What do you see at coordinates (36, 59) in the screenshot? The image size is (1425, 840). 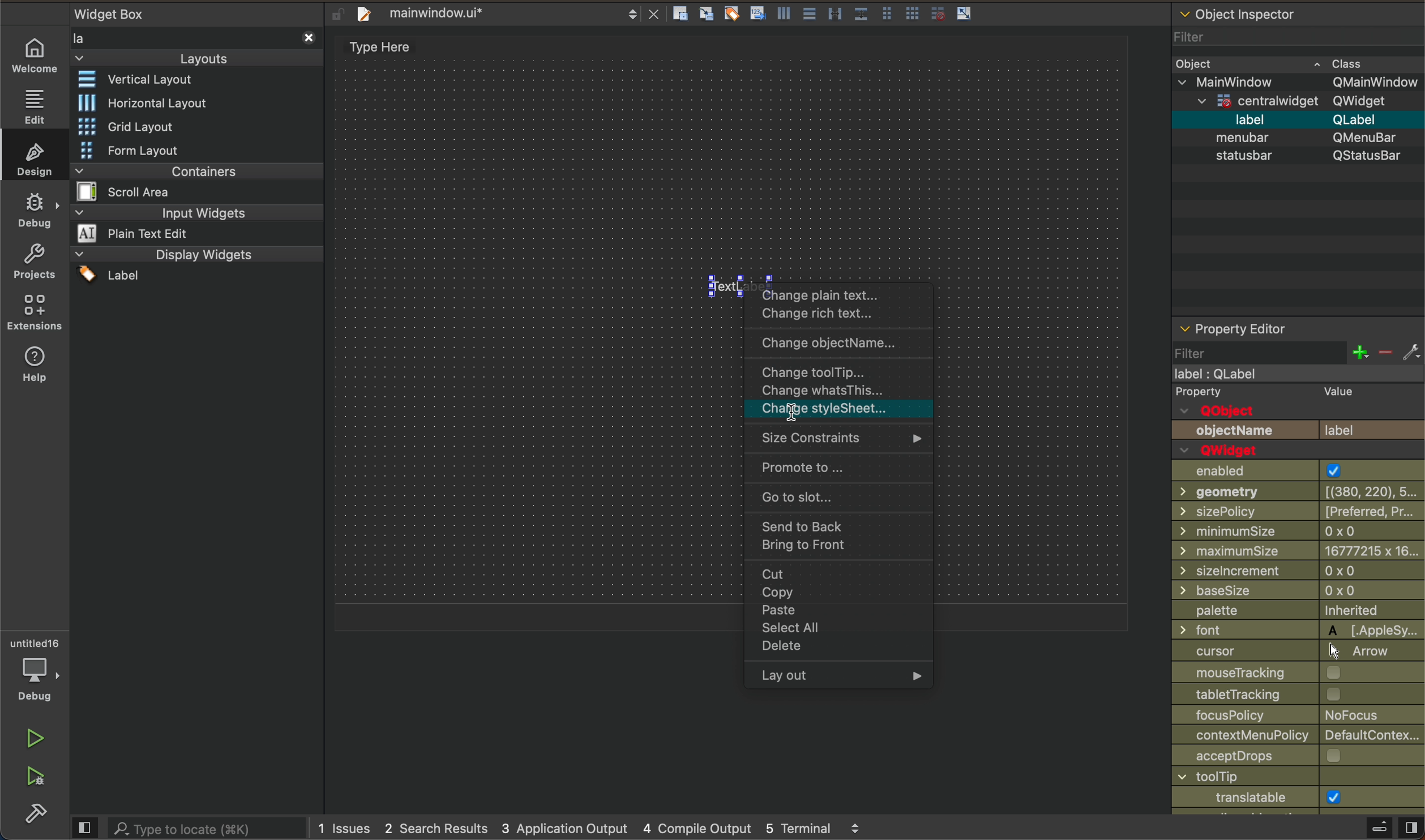 I see `welcome` at bounding box center [36, 59].